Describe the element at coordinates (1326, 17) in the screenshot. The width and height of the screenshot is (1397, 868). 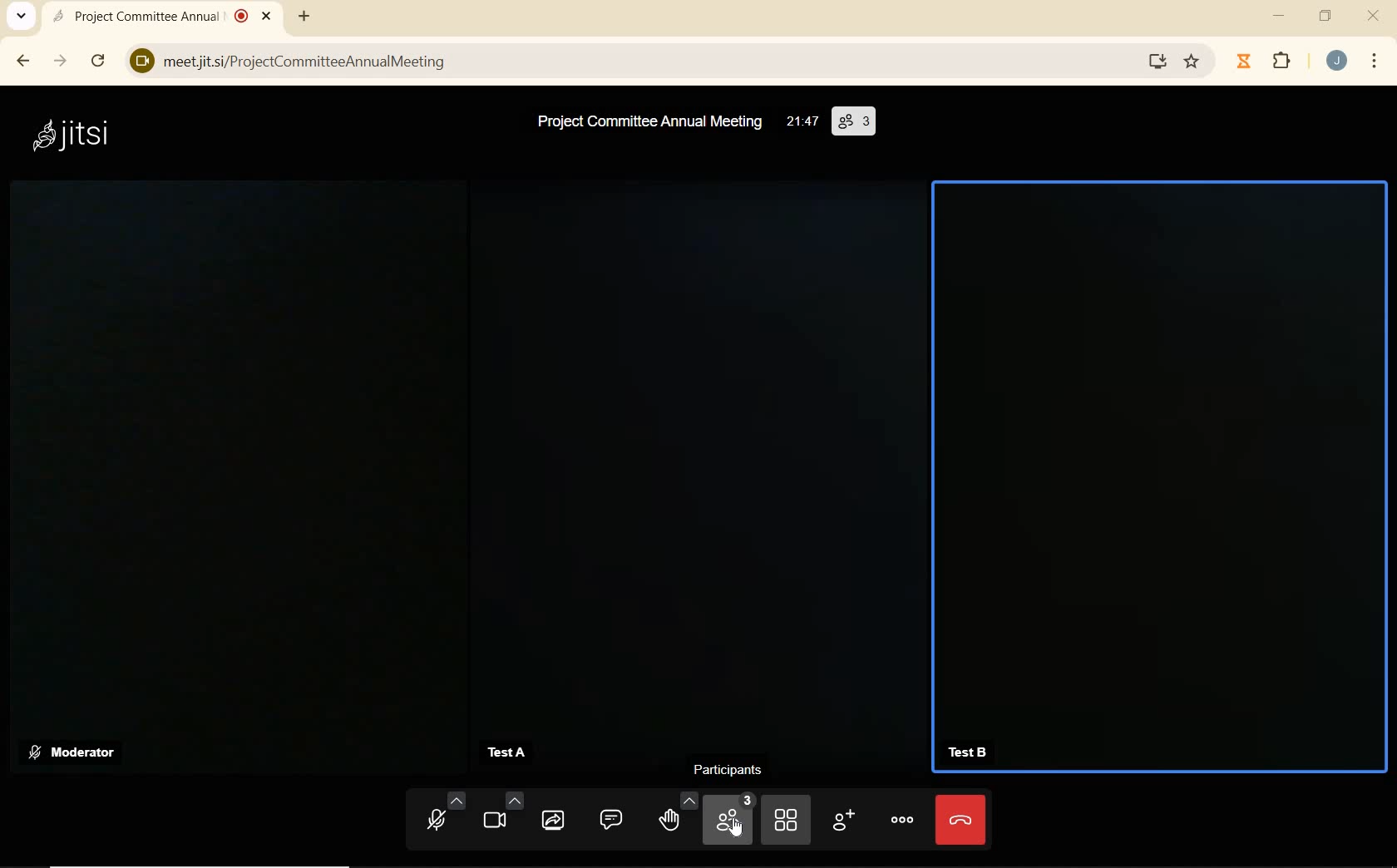
I see `RESTORE DOWN` at that location.